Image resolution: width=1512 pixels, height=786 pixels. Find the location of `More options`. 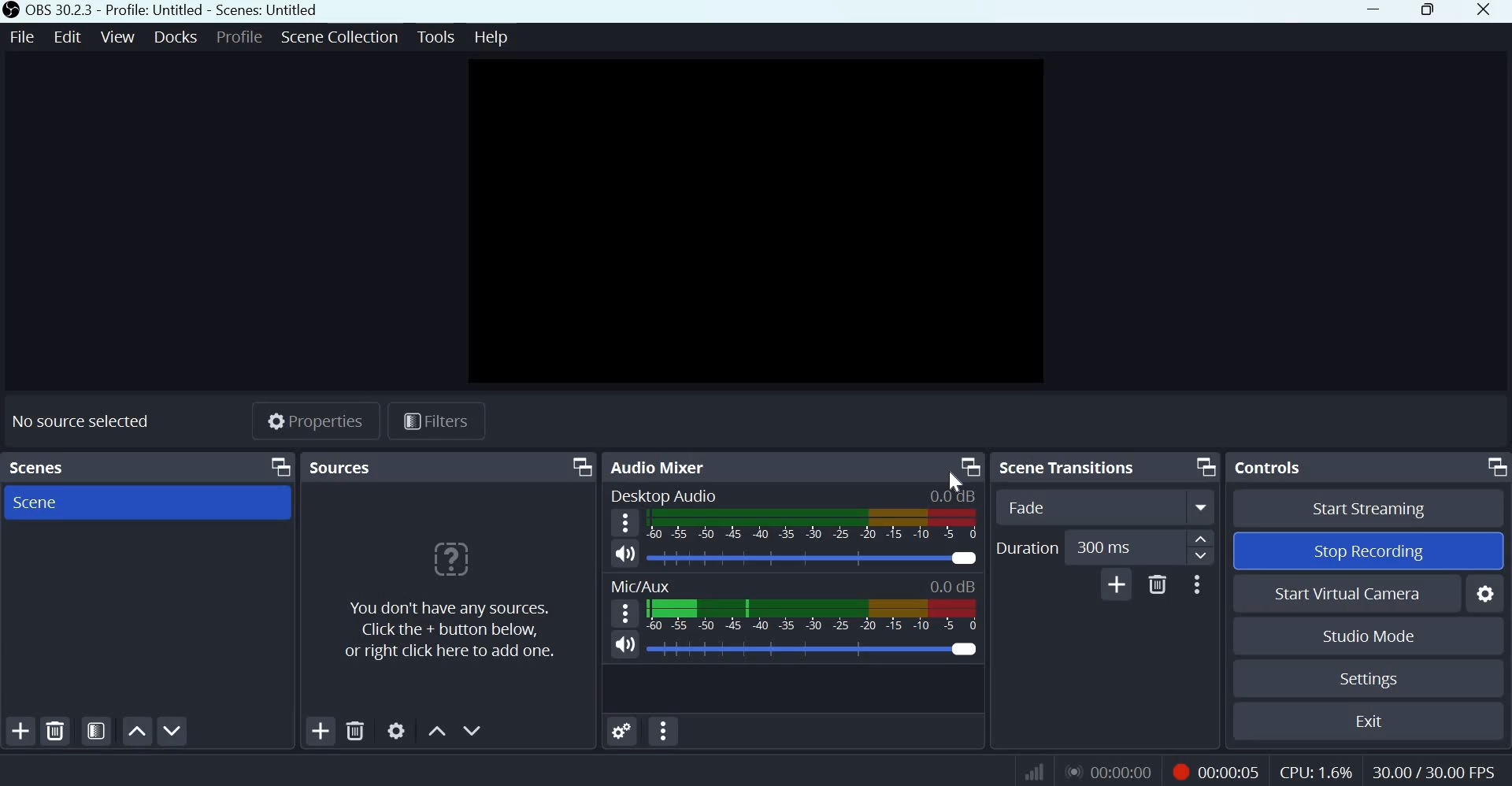

More options is located at coordinates (1201, 584).